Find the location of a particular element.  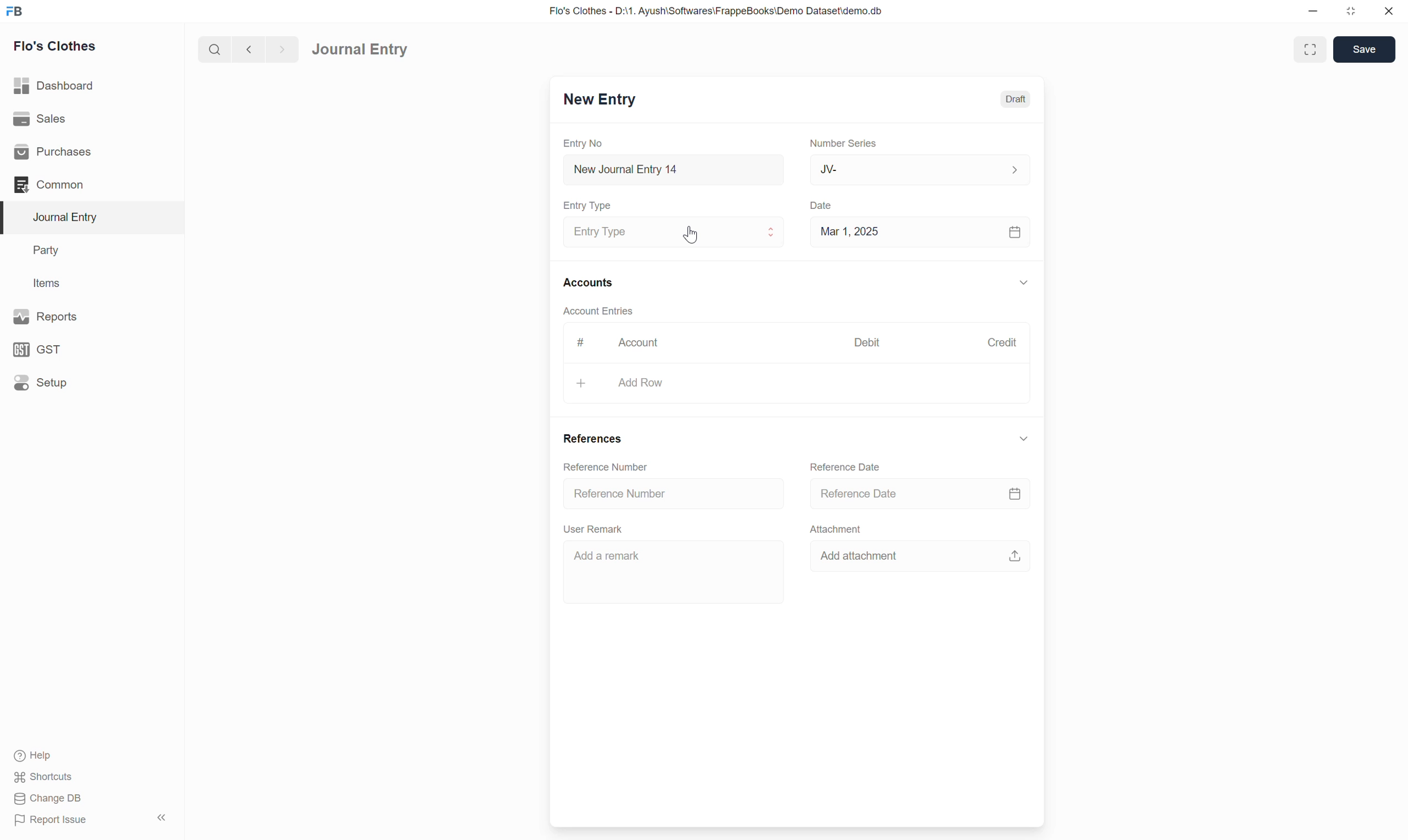

Reference number is located at coordinates (617, 466).